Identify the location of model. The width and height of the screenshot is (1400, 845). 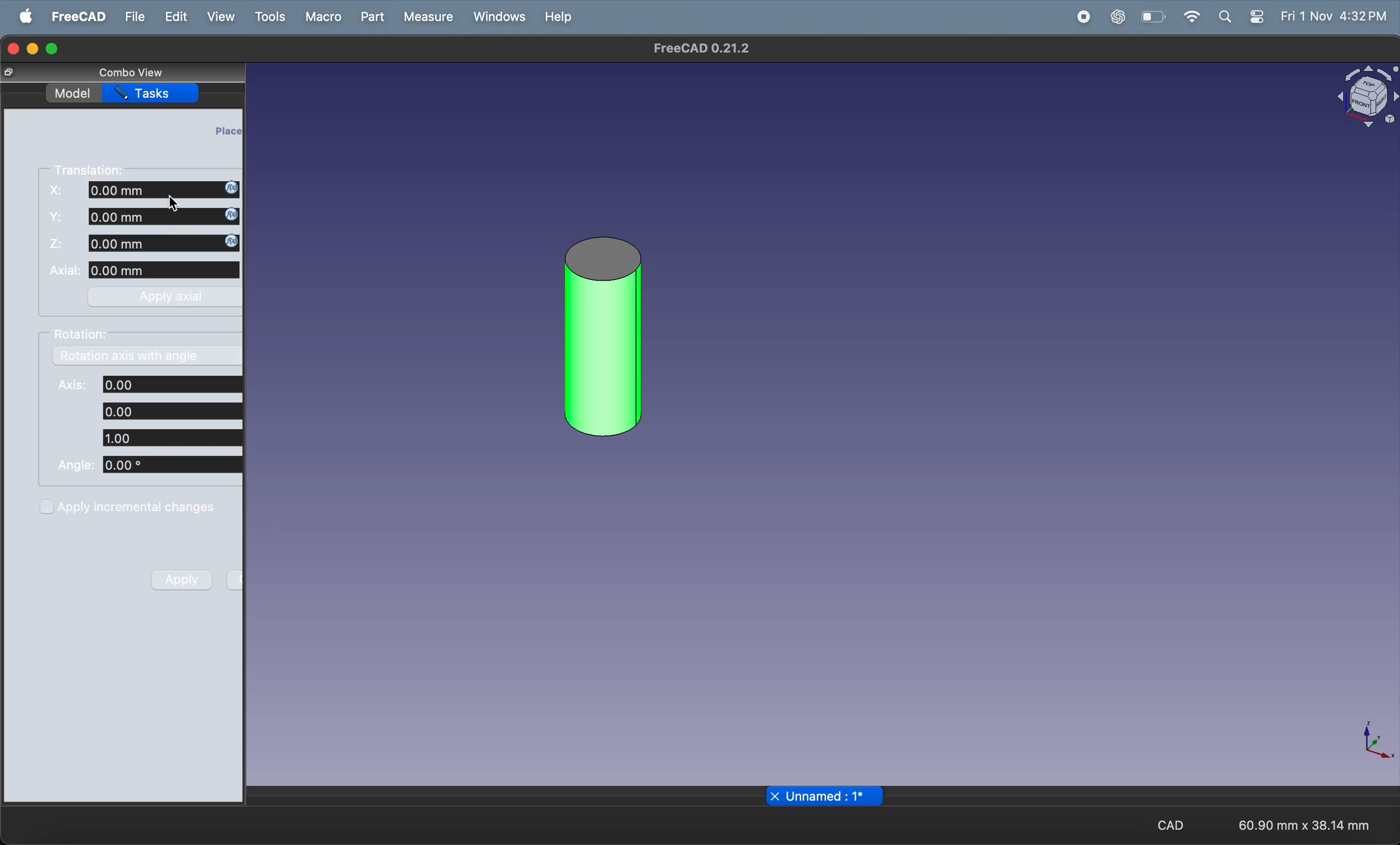
(74, 94).